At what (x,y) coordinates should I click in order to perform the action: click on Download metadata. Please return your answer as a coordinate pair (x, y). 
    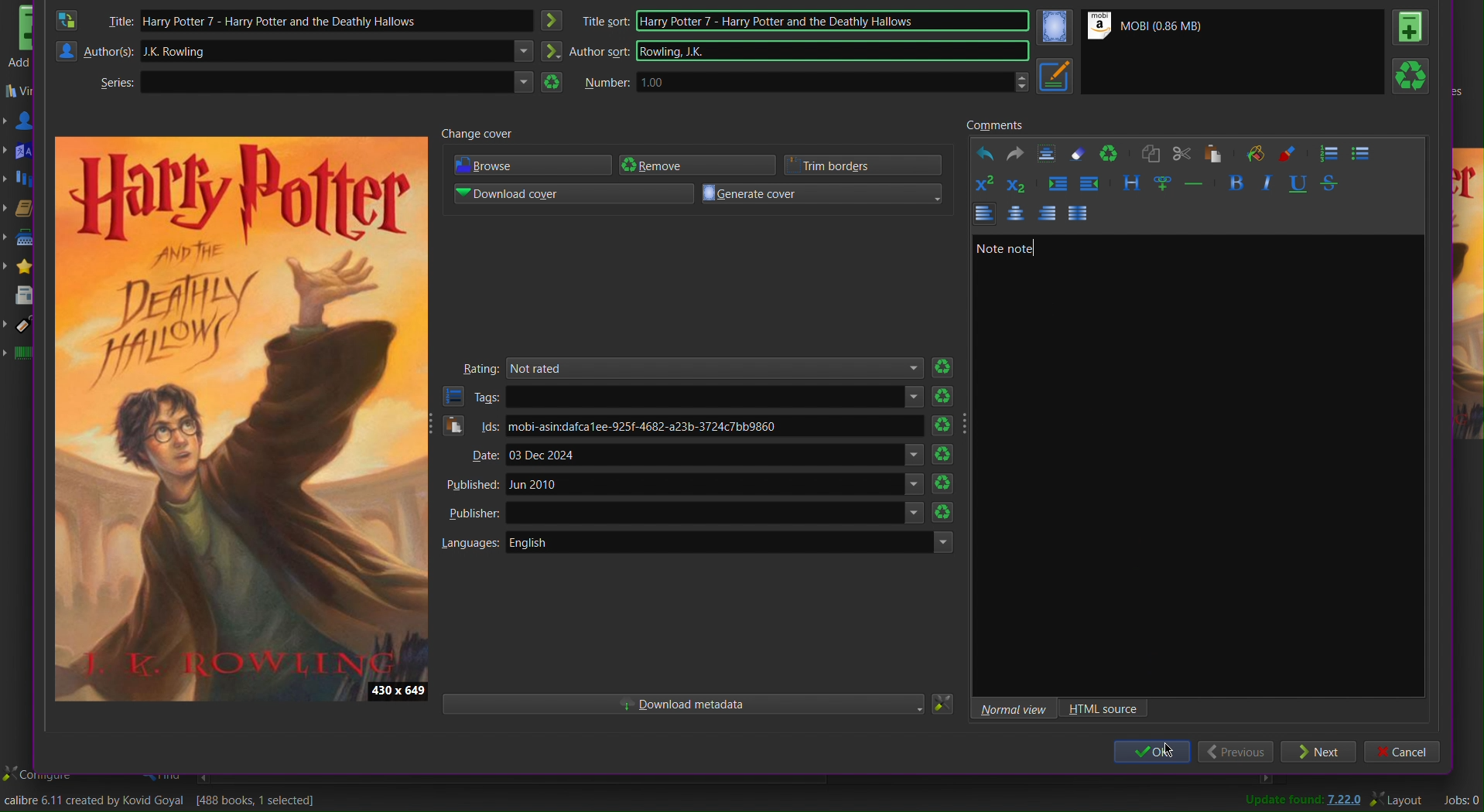
    Looking at the image, I should click on (683, 705).